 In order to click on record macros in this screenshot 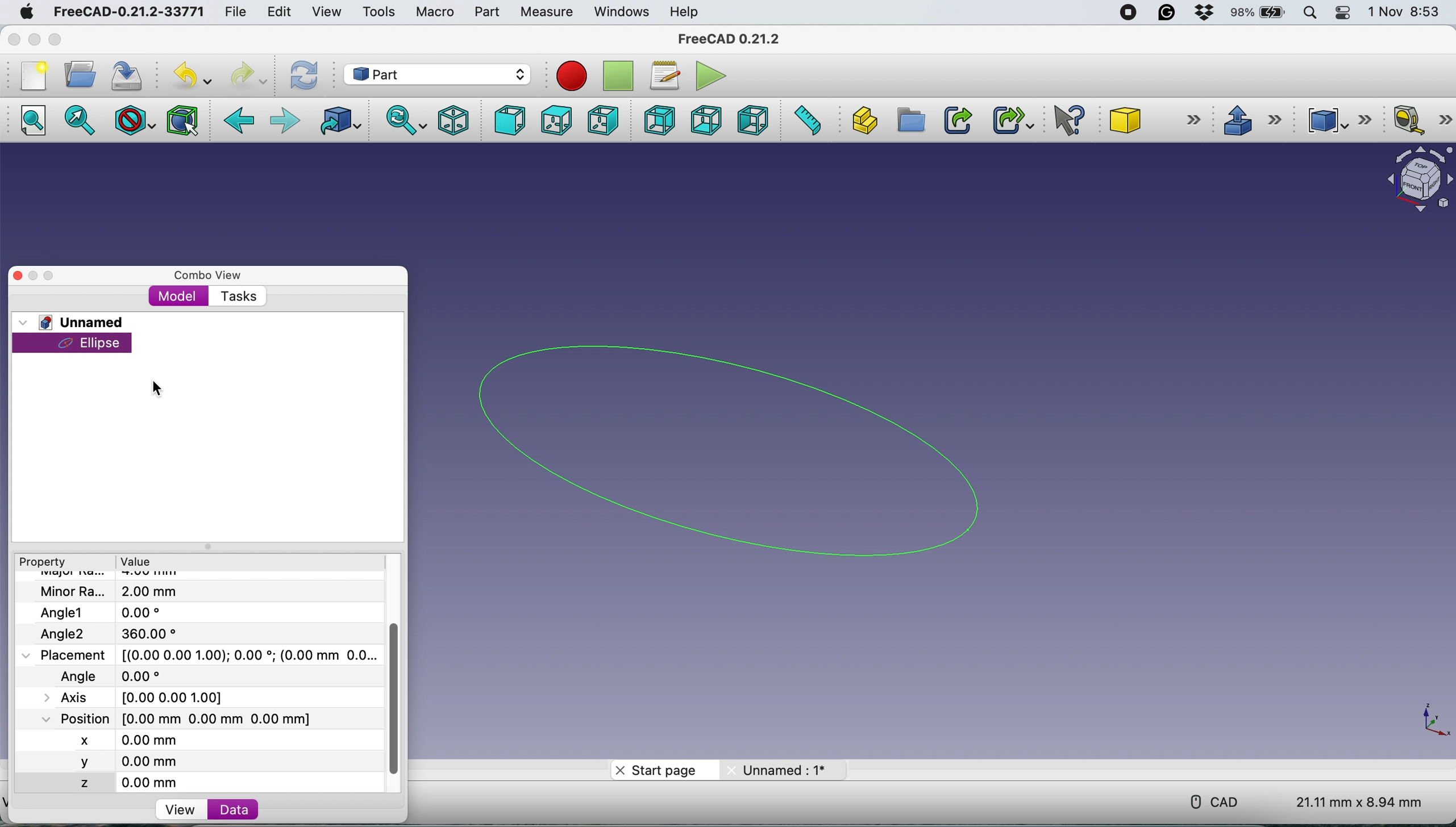, I will do `click(571, 75)`.